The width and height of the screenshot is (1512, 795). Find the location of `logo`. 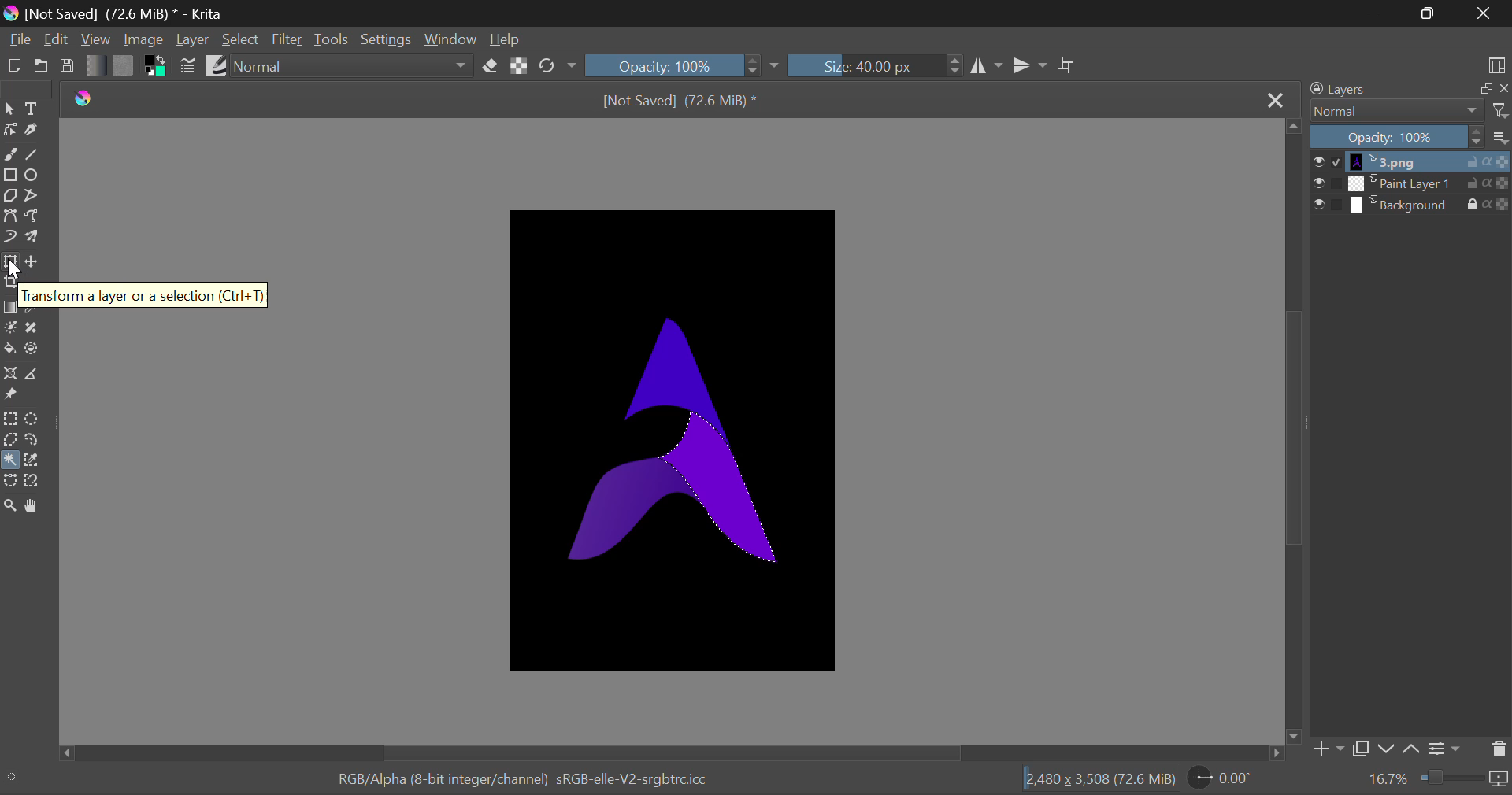

logo is located at coordinates (13, 15).